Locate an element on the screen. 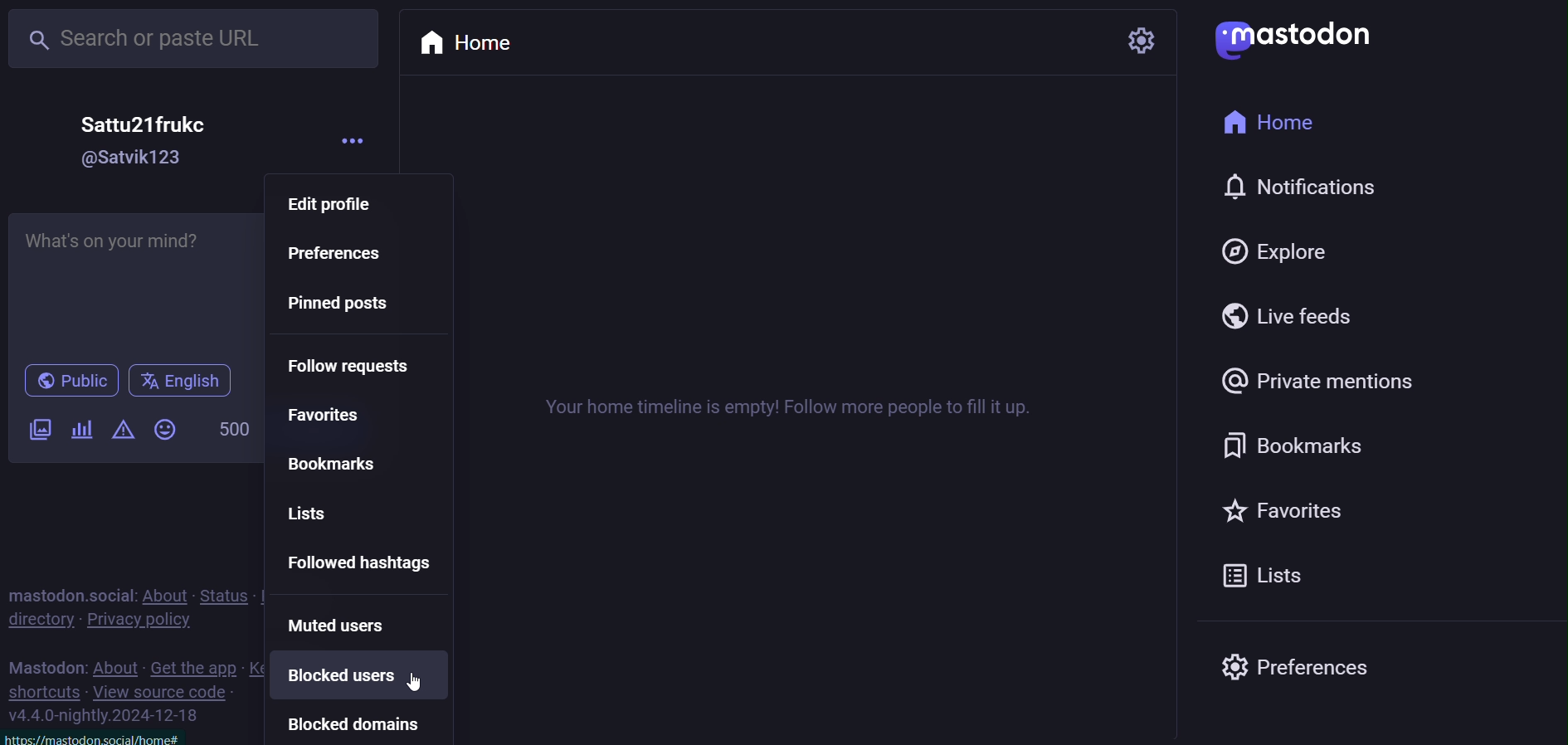 This screenshot has width=1568, height=745. emojis is located at coordinates (164, 429).